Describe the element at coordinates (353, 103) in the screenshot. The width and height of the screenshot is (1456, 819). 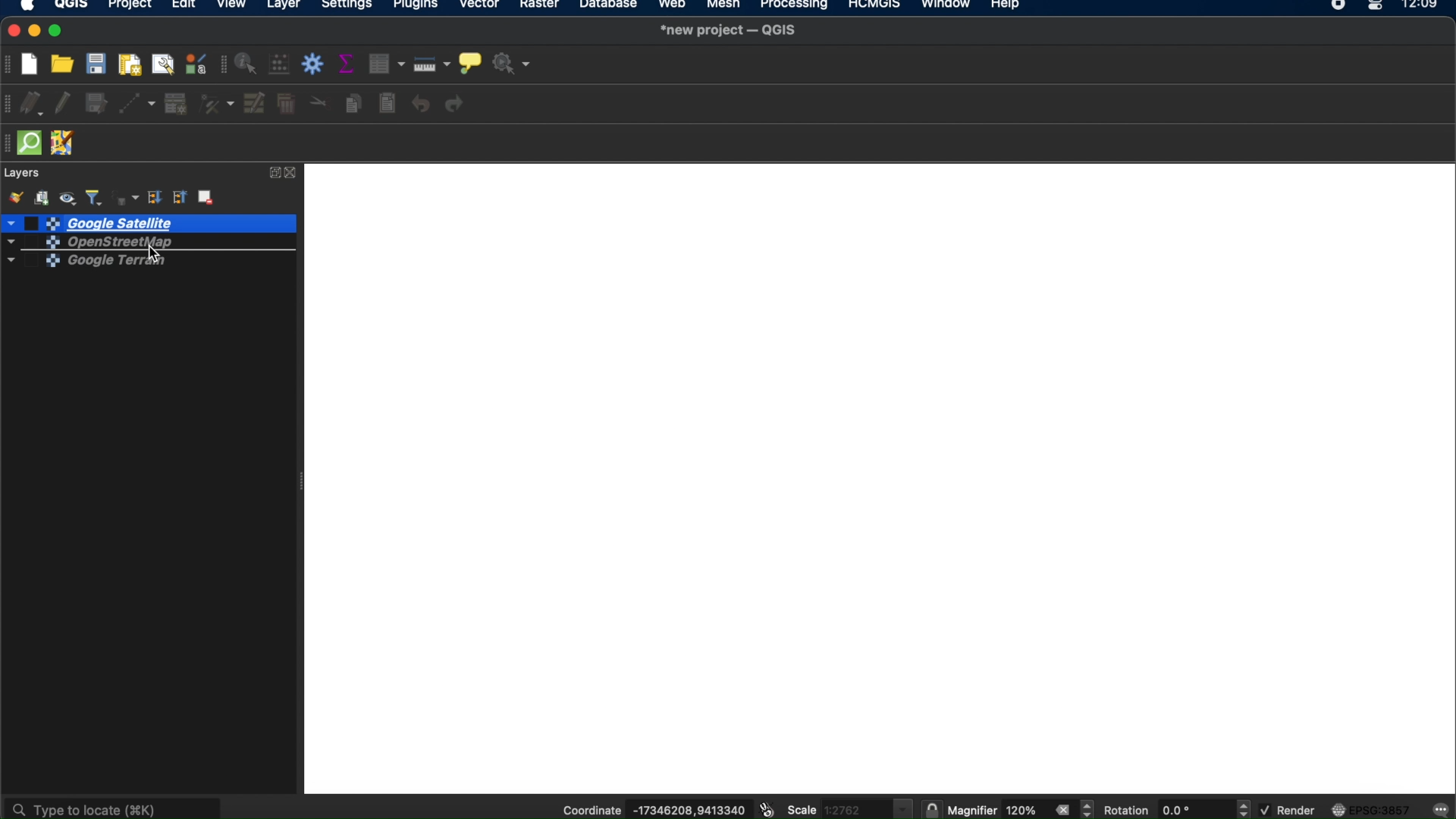
I see `copy features` at that location.